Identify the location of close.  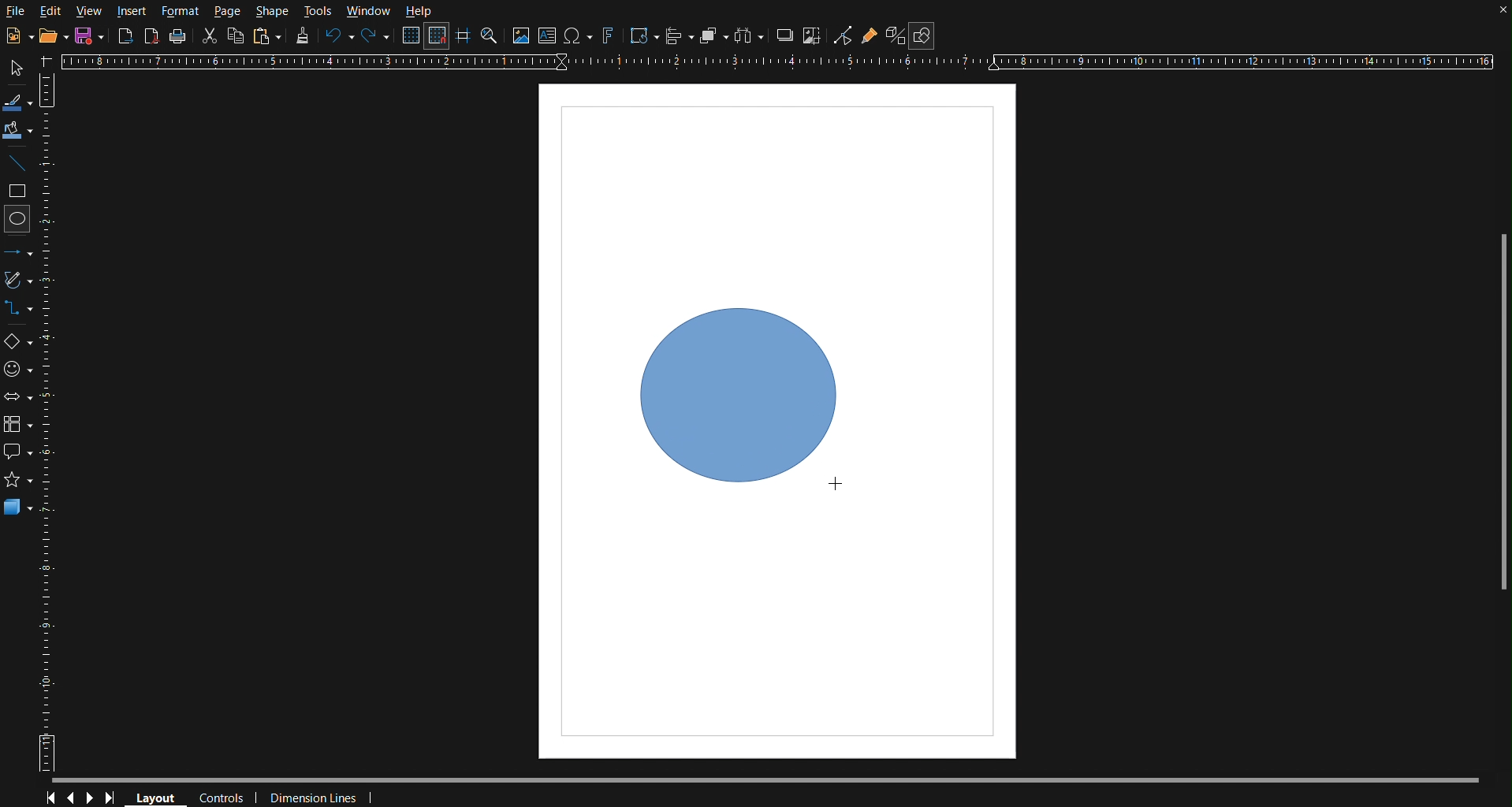
(1497, 13).